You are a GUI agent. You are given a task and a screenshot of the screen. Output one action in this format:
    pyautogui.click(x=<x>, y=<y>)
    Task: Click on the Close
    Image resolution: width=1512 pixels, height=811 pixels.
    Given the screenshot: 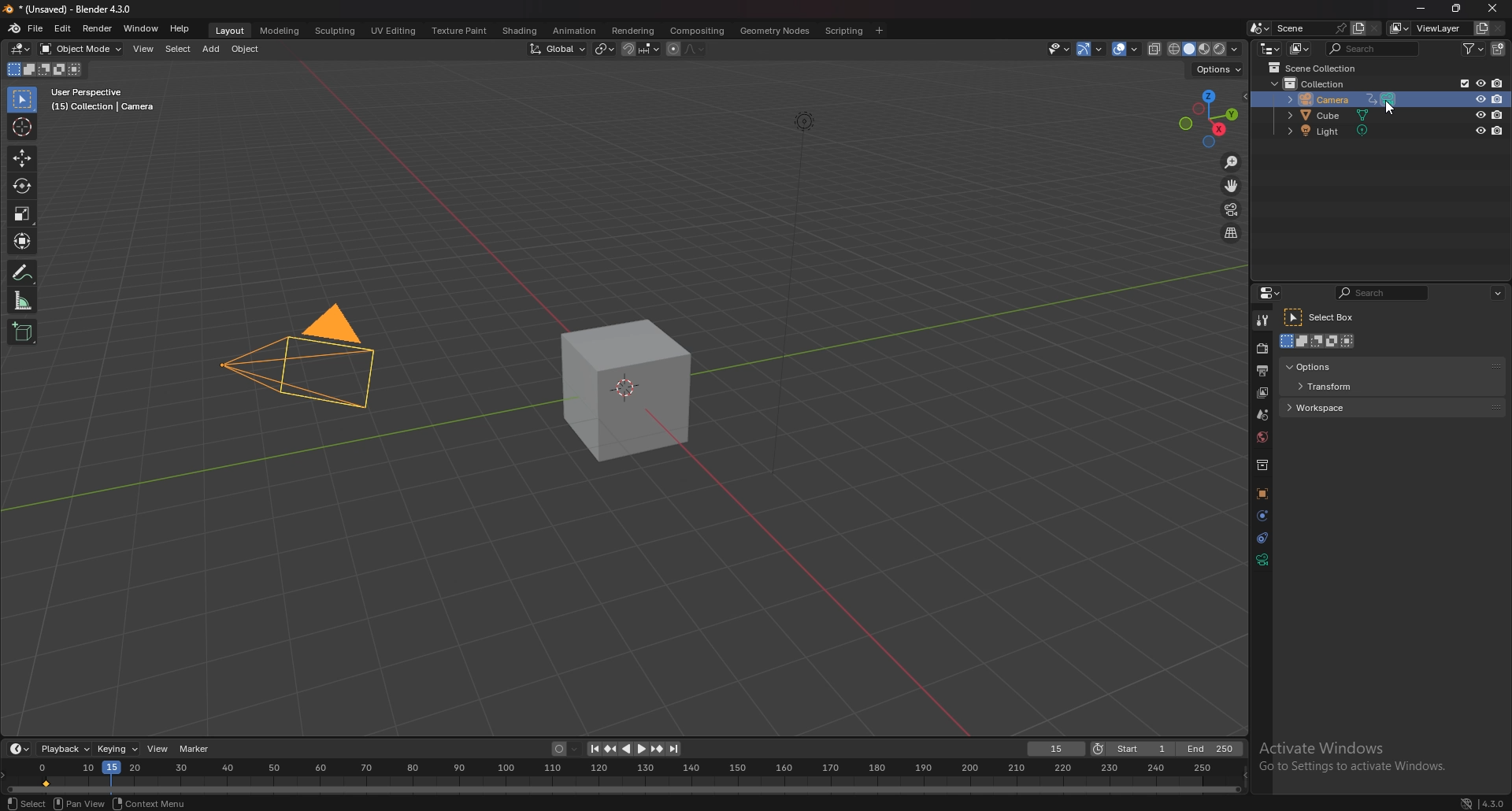 What is the action you would take?
    pyautogui.click(x=1490, y=9)
    